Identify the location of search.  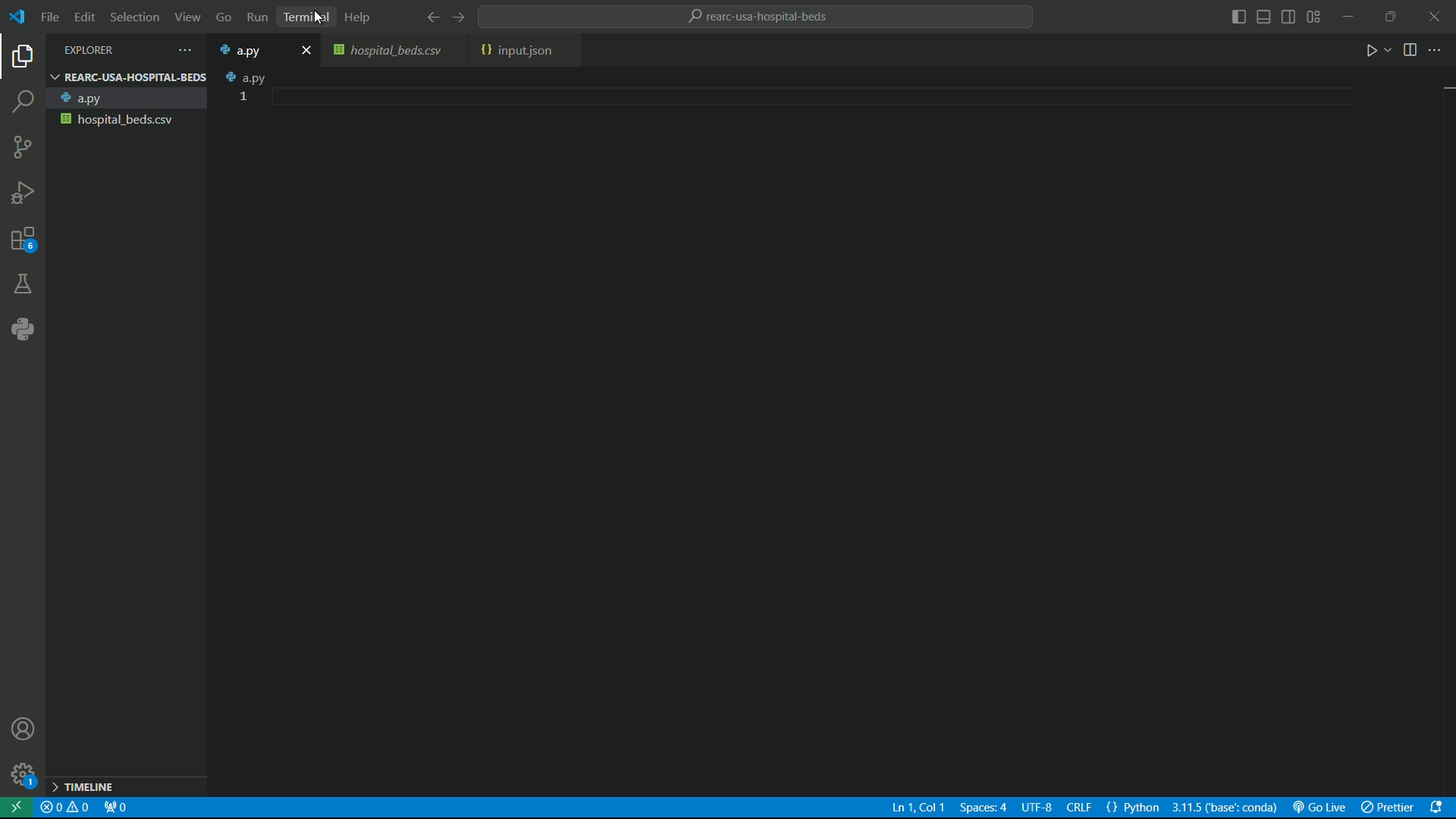
(23, 100).